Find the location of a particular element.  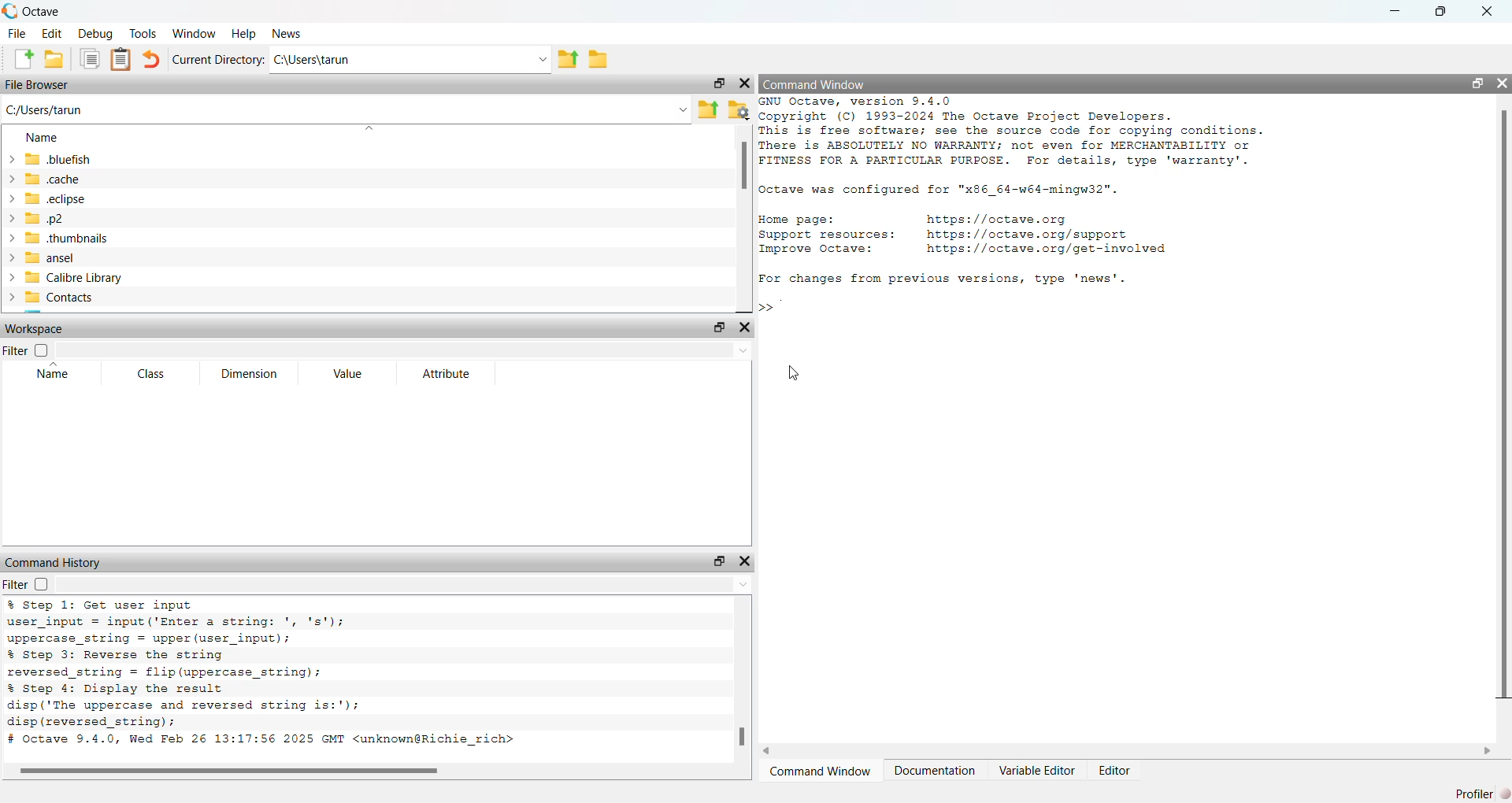

move left is located at coordinates (769, 749).